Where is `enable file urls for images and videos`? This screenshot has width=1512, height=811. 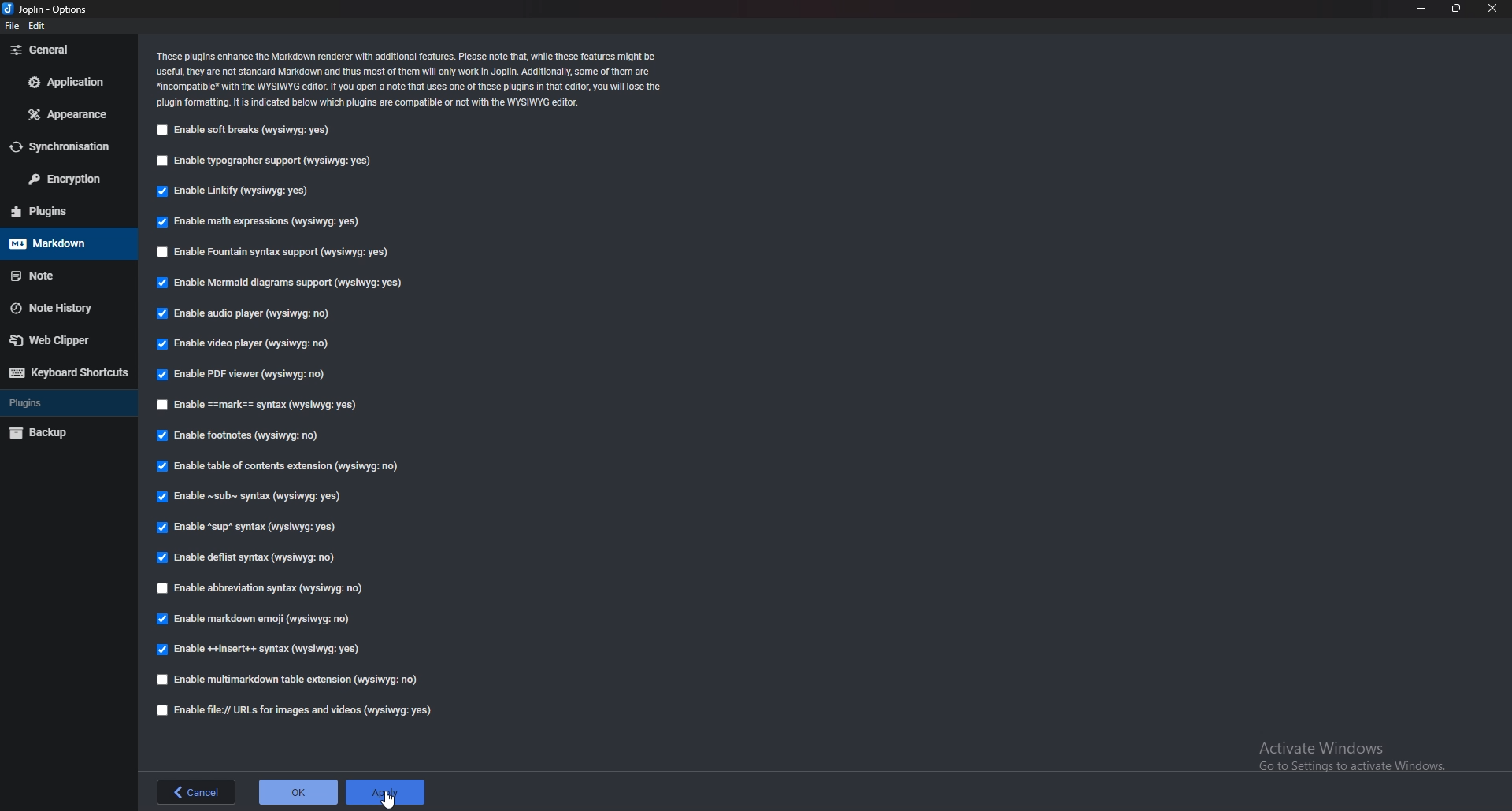
enable file urls for images and videos is located at coordinates (289, 710).